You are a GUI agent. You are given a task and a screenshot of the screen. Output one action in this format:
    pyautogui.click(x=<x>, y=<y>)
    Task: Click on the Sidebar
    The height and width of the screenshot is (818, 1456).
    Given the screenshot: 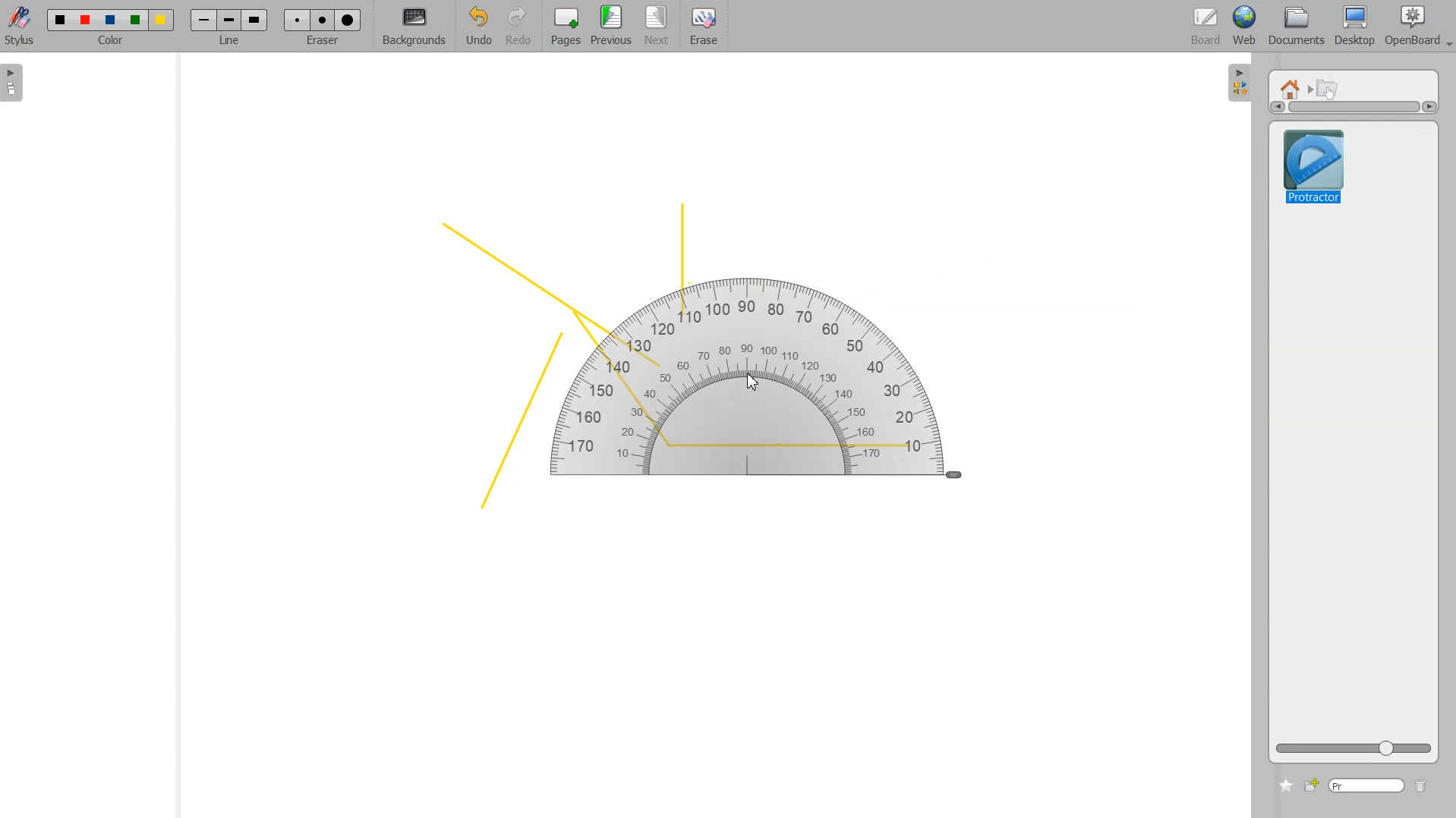 What is the action you would take?
    pyautogui.click(x=17, y=83)
    